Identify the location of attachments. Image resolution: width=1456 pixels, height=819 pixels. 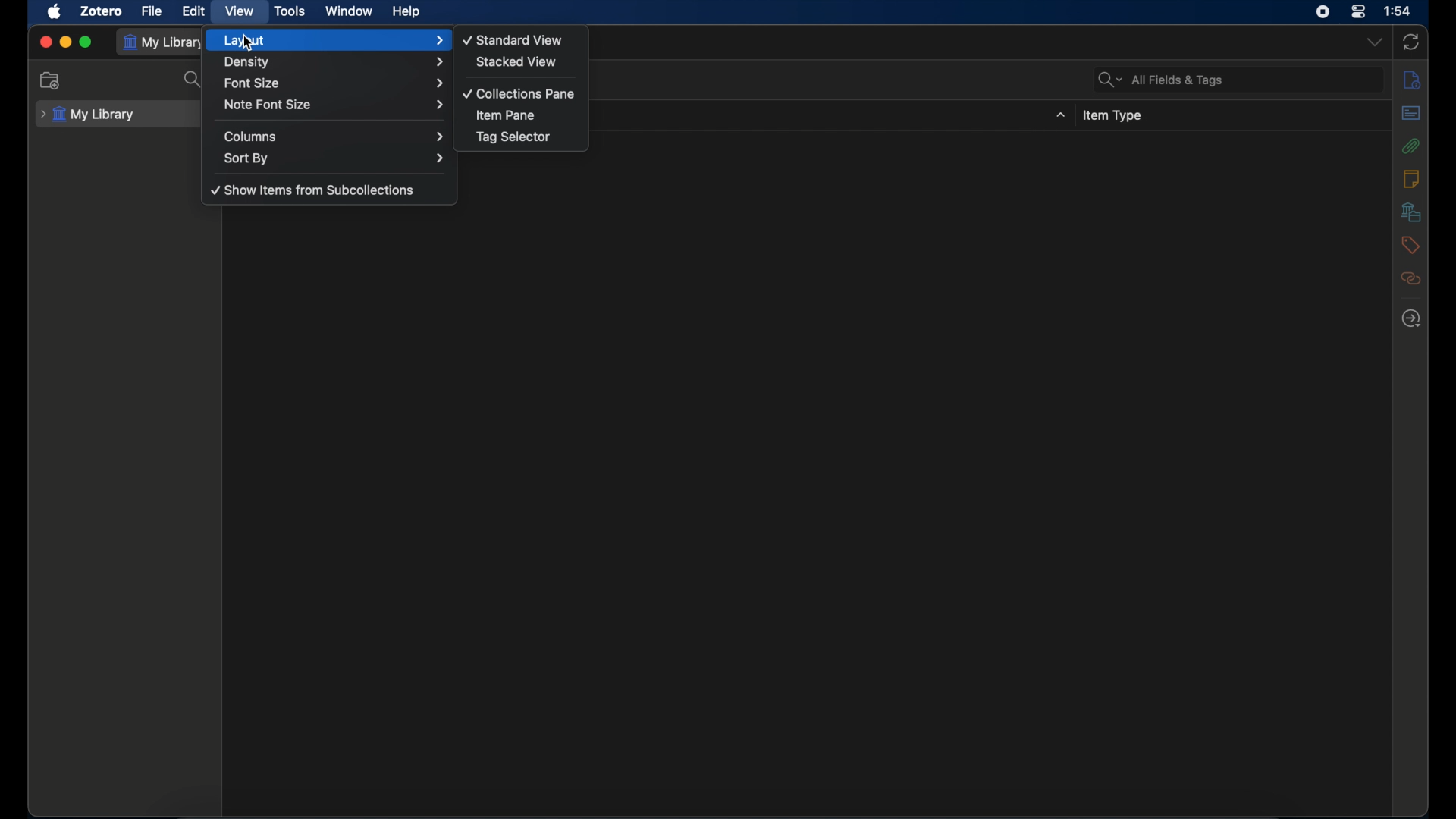
(1411, 146).